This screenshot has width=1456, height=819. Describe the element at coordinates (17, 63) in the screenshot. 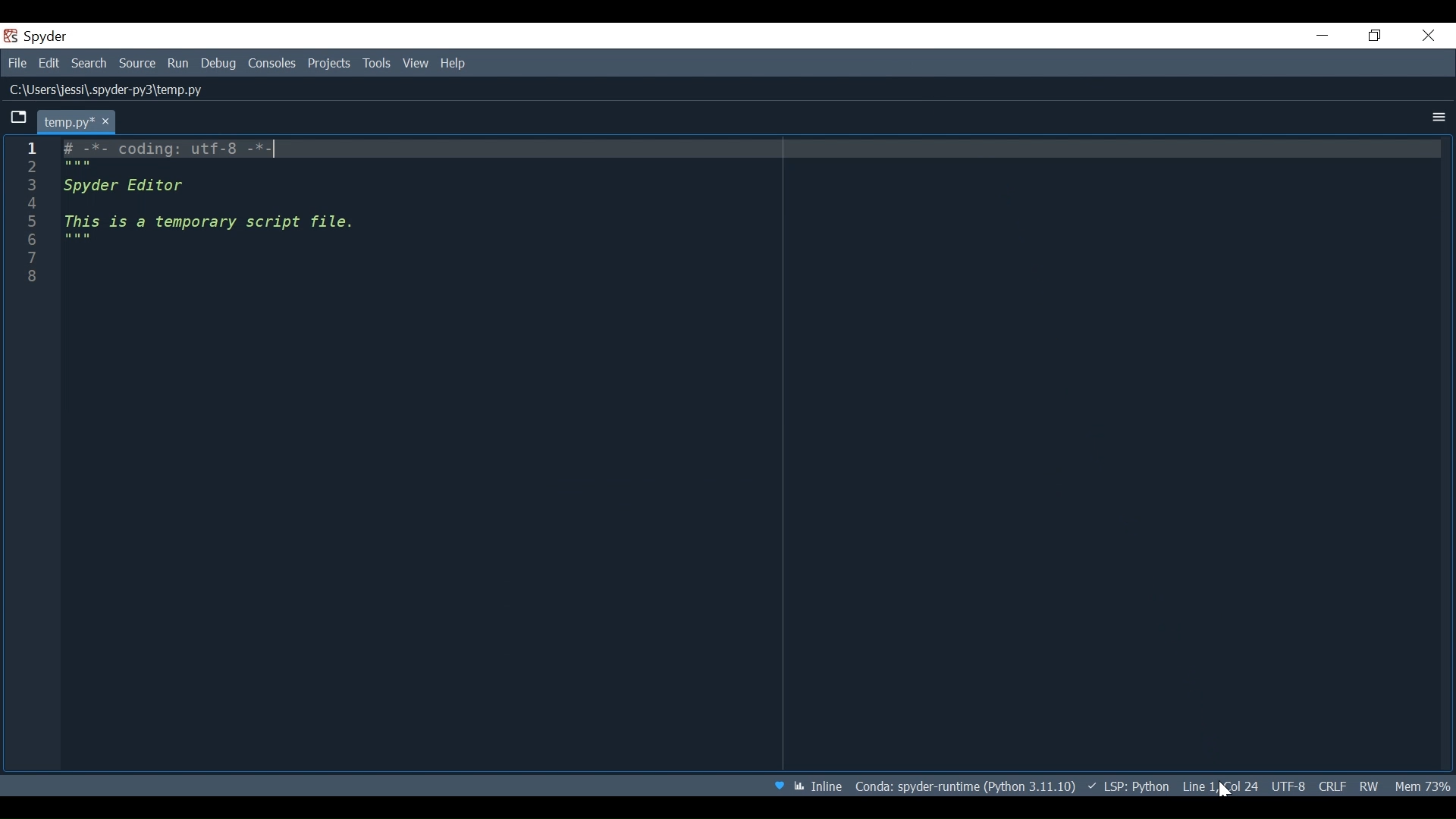

I see `File` at that location.